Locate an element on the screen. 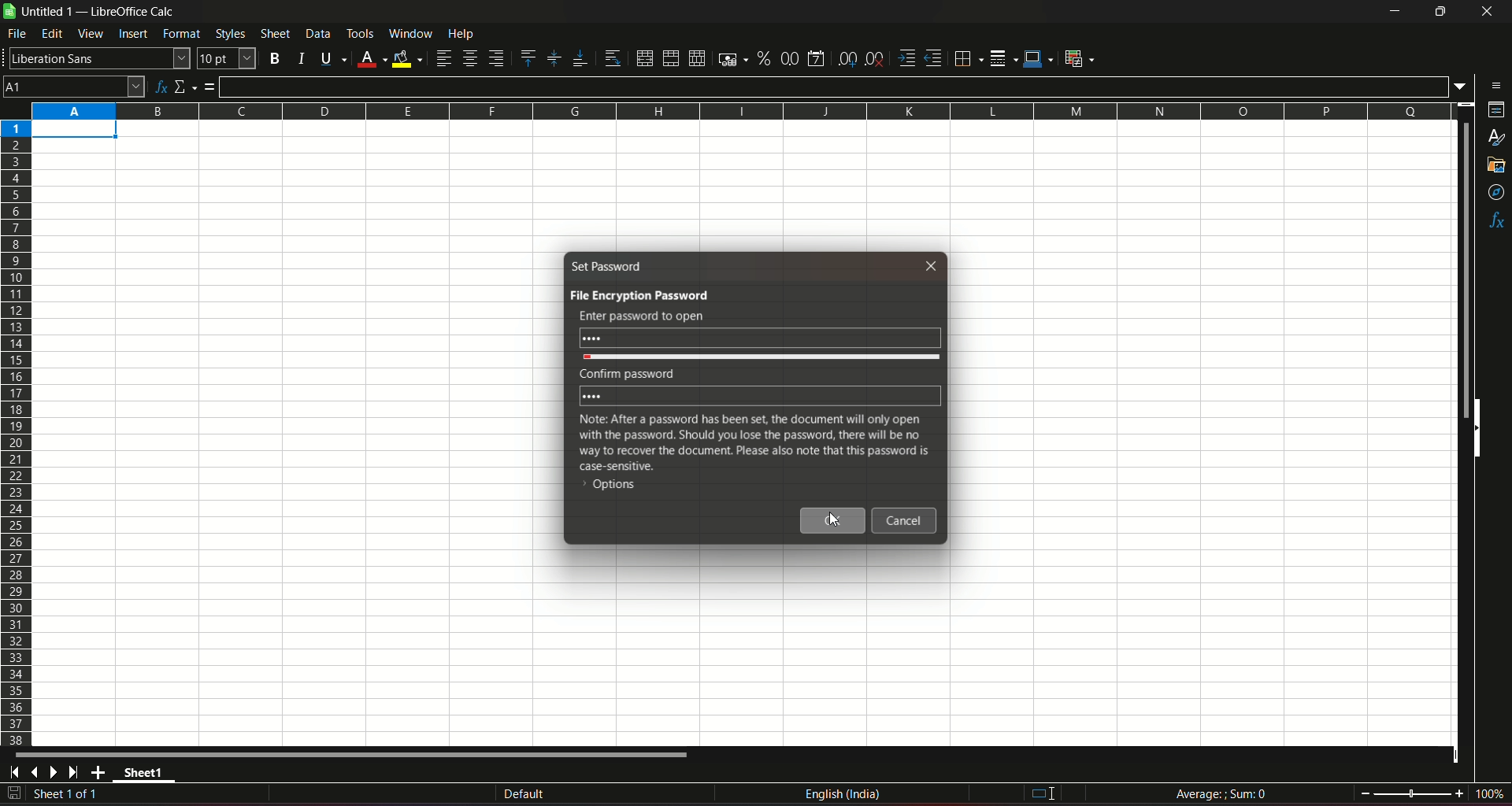 Image resolution: width=1512 pixels, height=806 pixels.   align is located at coordinates (443, 58).